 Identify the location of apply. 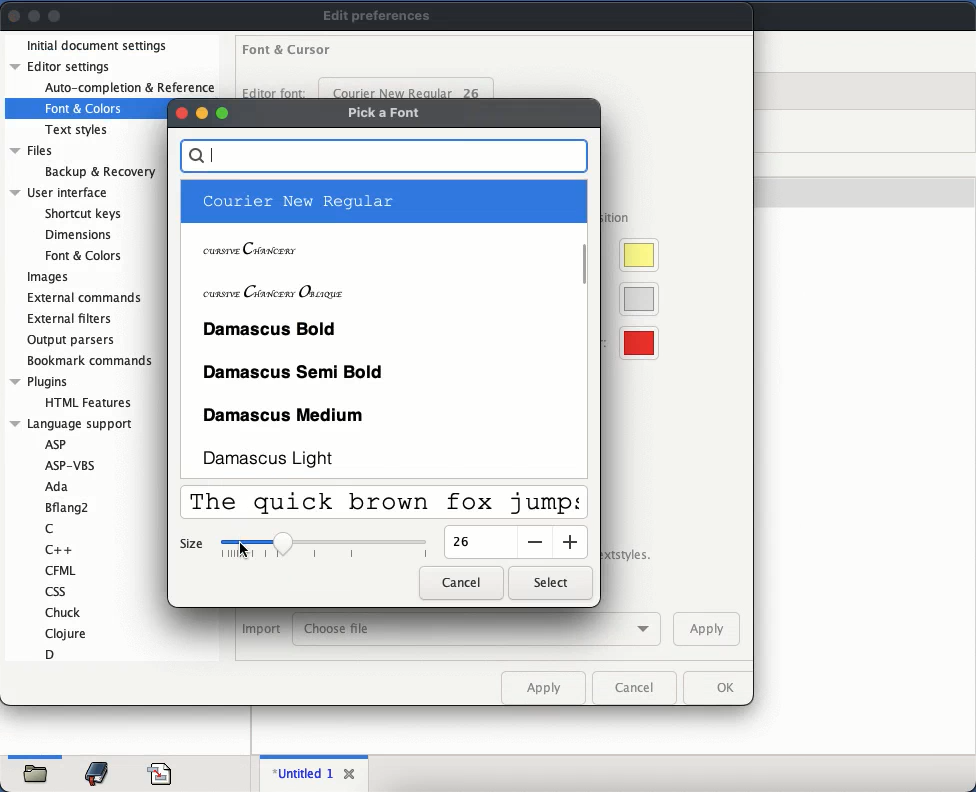
(706, 630).